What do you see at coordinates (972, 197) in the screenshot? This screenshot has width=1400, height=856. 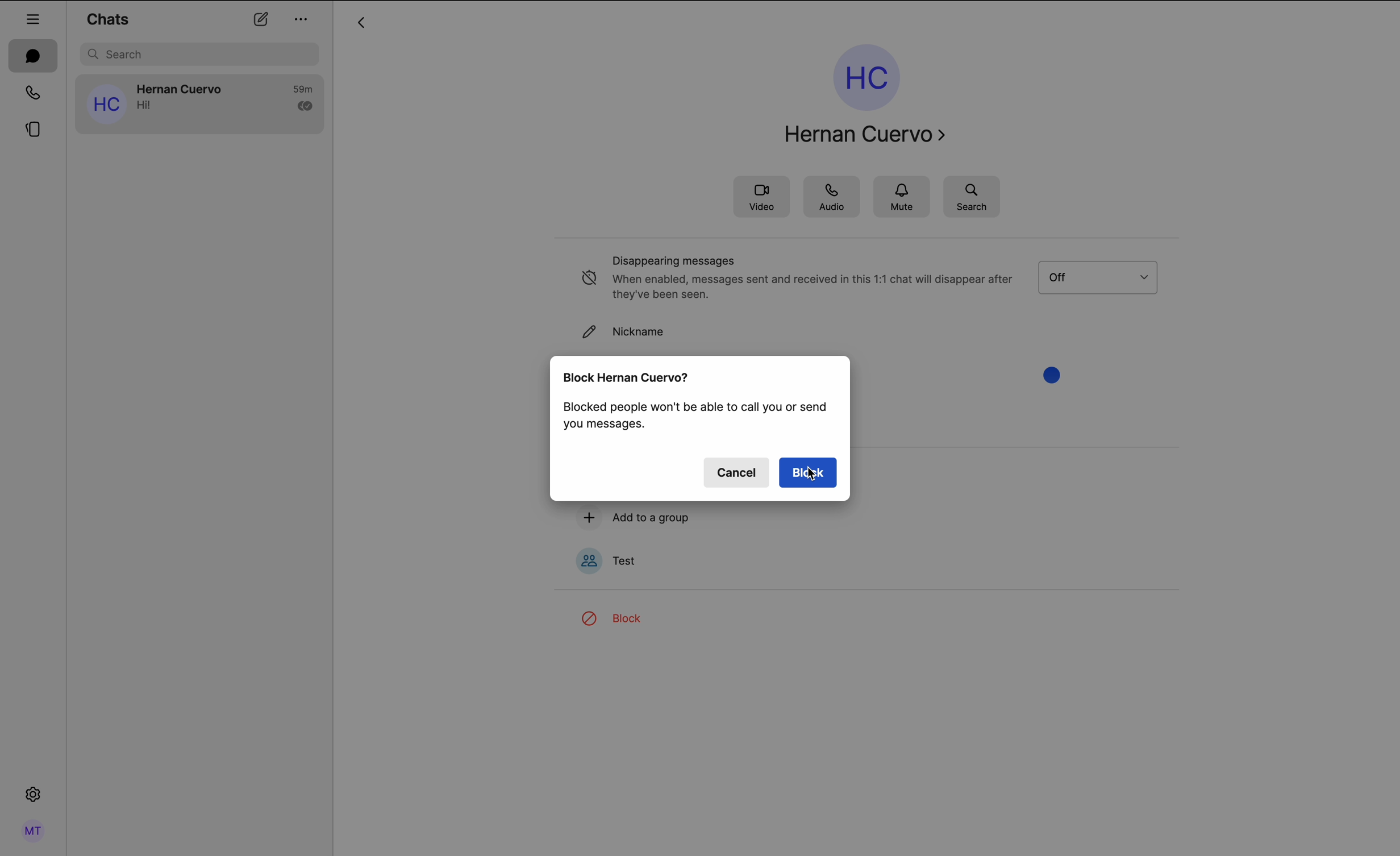 I see `search` at bounding box center [972, 197].